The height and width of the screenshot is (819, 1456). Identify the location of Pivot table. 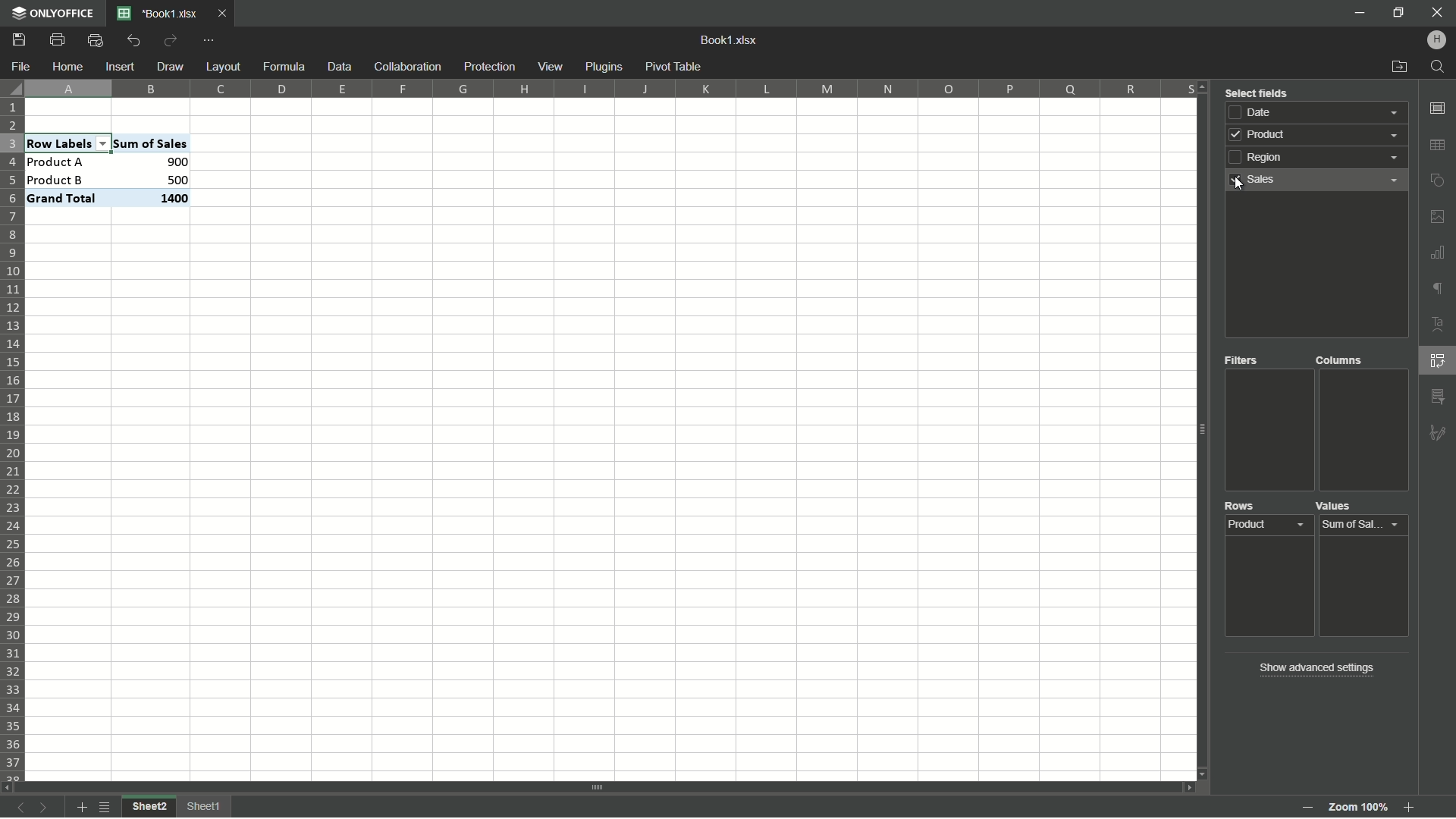
(675, 67).